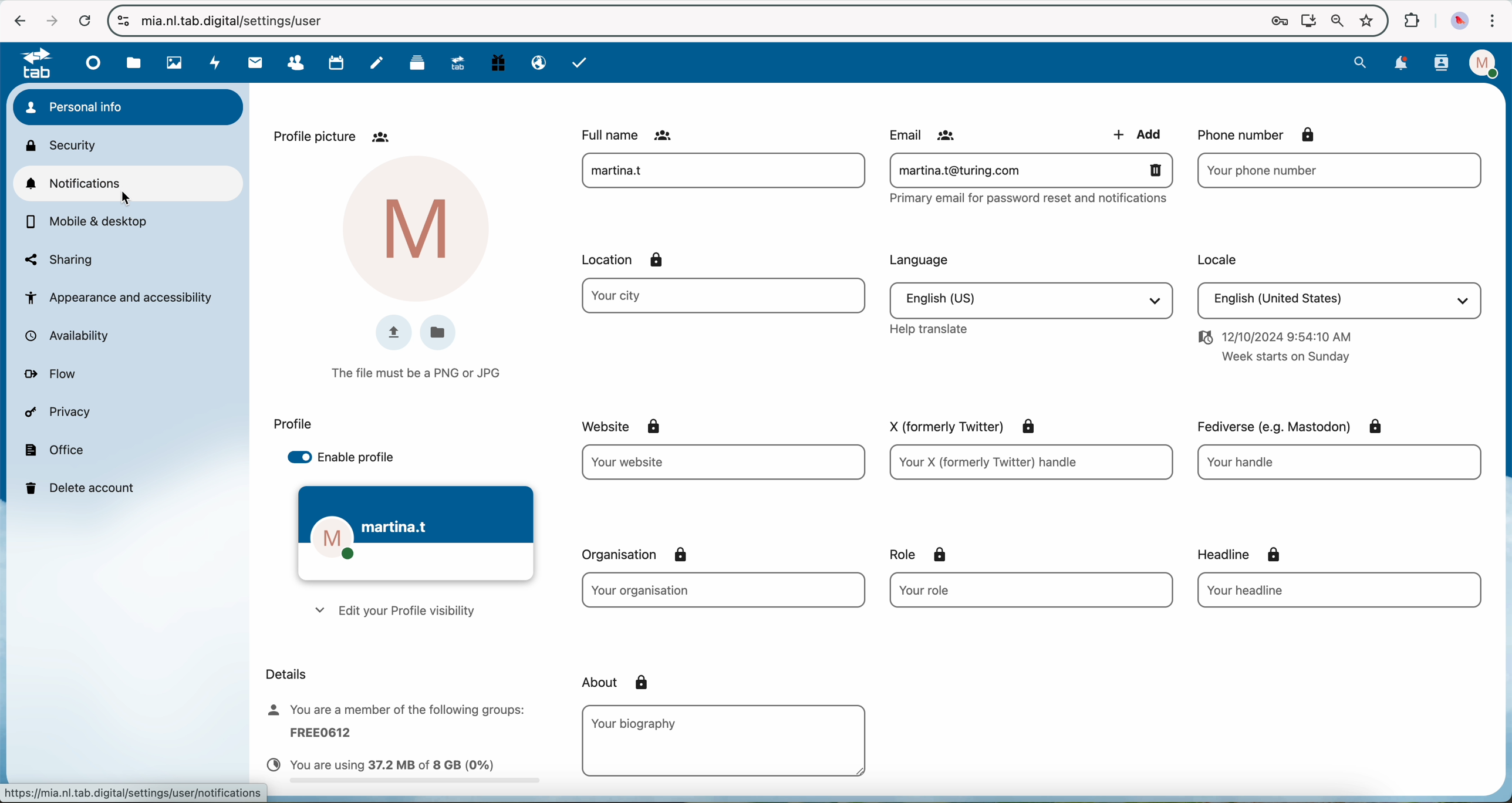 The image size is (1512, 803). Describe the element at coordinates (338, 63) in the screenshot. I see `calendar` at that location.